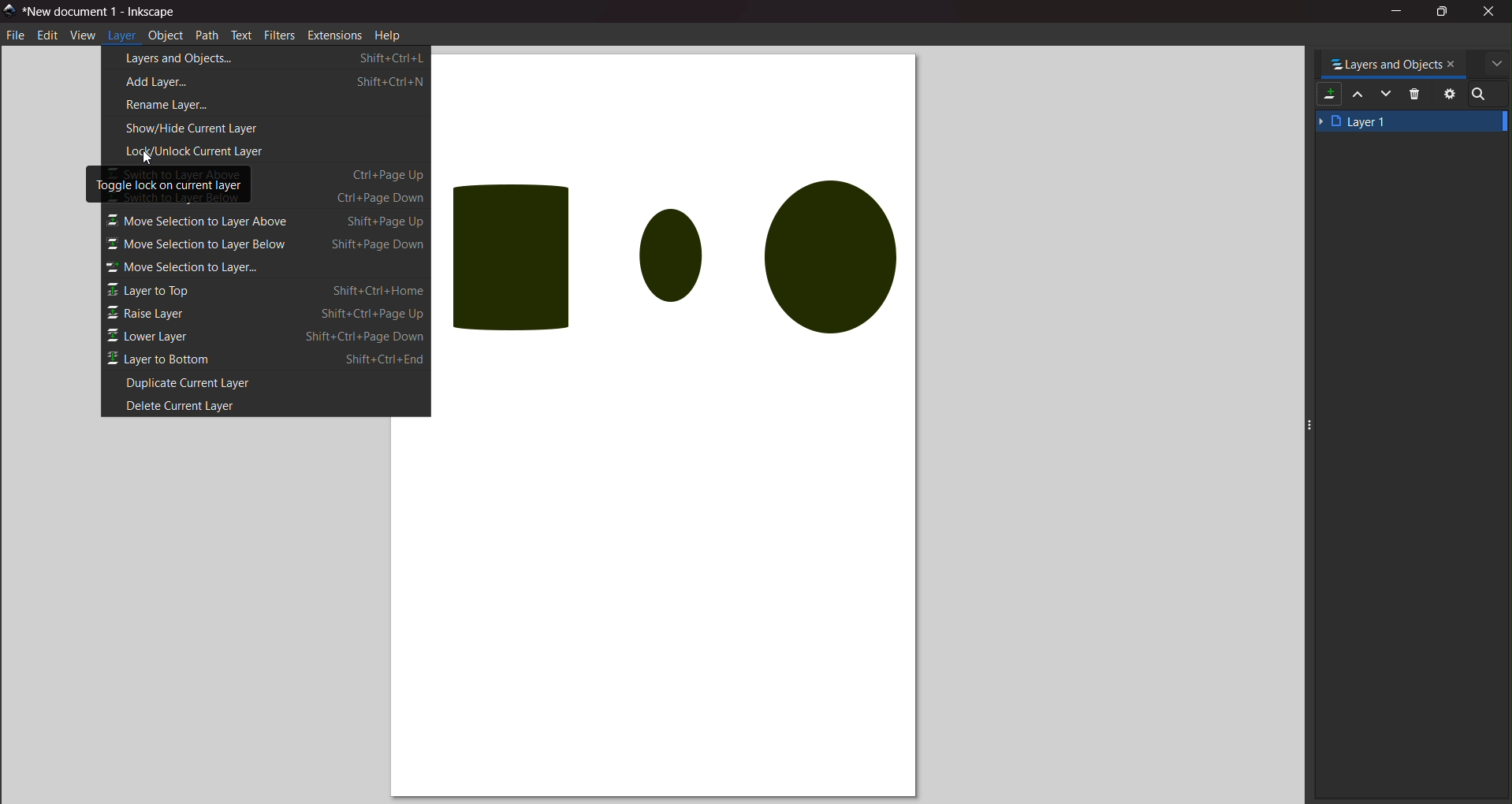 This screenshot has height=804, width=1512. I want to click on toggle lock on current layer, so click(172, 184).